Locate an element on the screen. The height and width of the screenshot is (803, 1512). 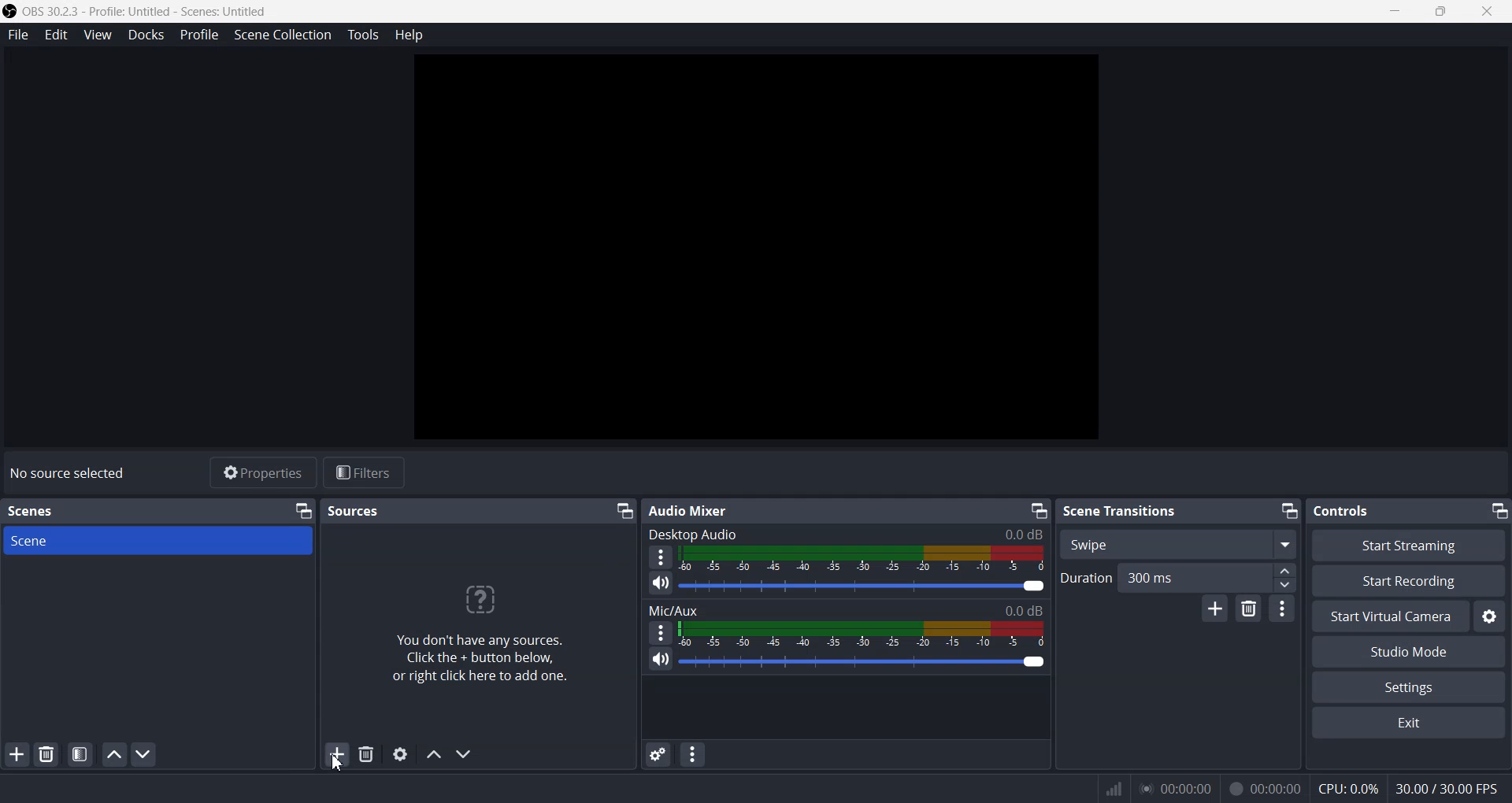
Advanced Audio properties is located at coordinates (657, 754).